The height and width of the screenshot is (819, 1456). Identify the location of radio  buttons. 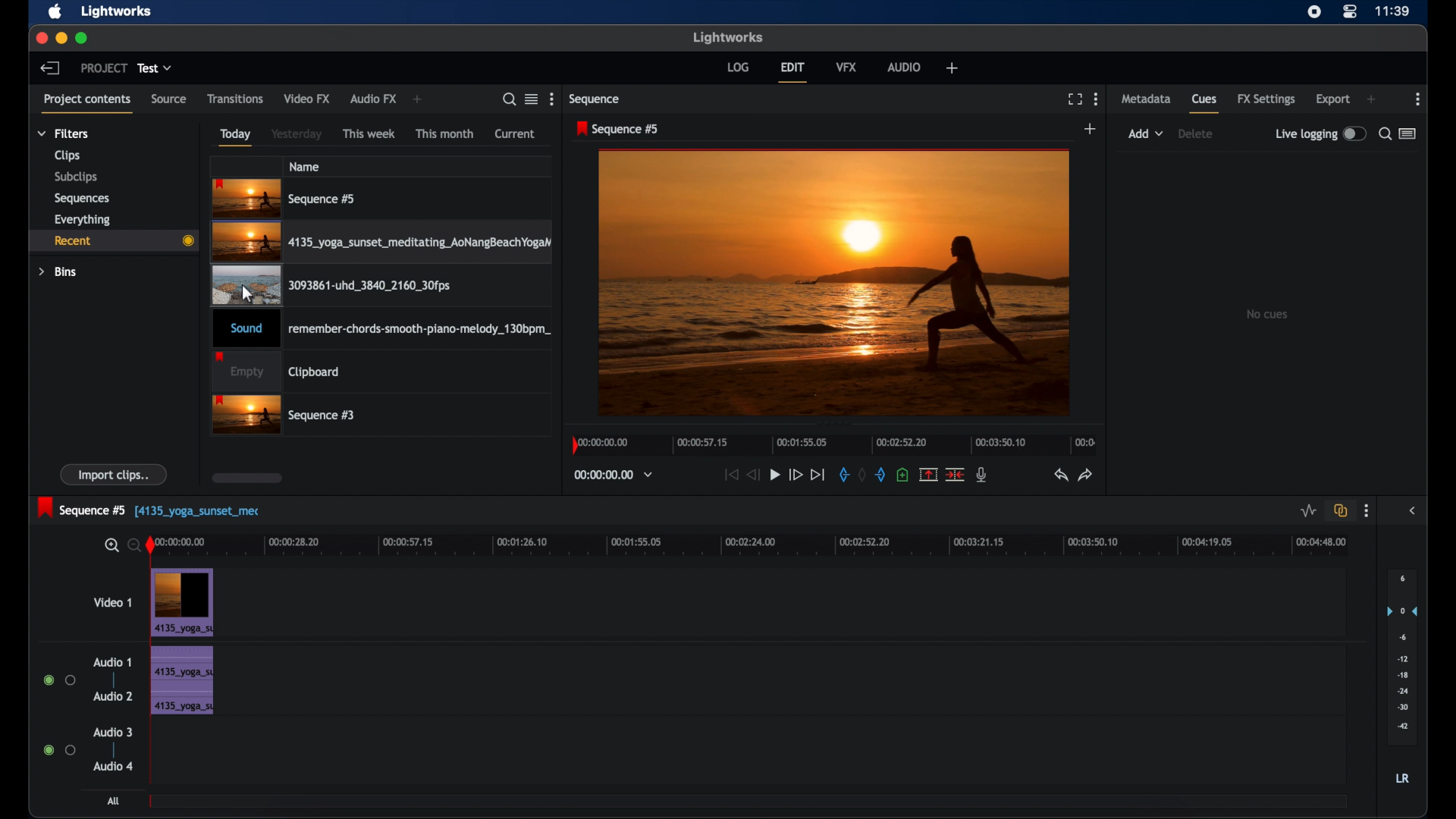
(60, 750).